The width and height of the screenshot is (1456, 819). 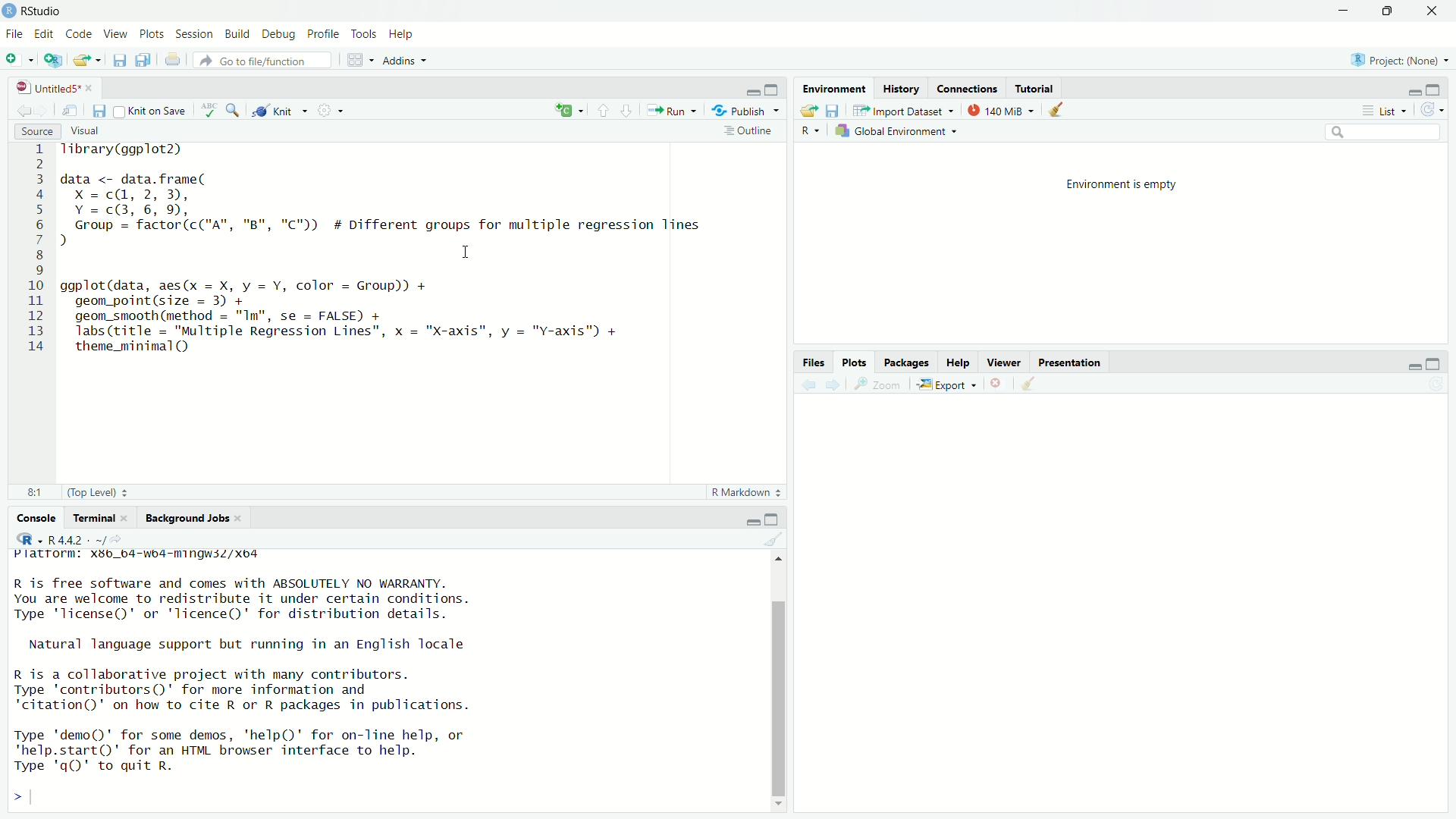 I want to click on files, so click(x=140, y=60).